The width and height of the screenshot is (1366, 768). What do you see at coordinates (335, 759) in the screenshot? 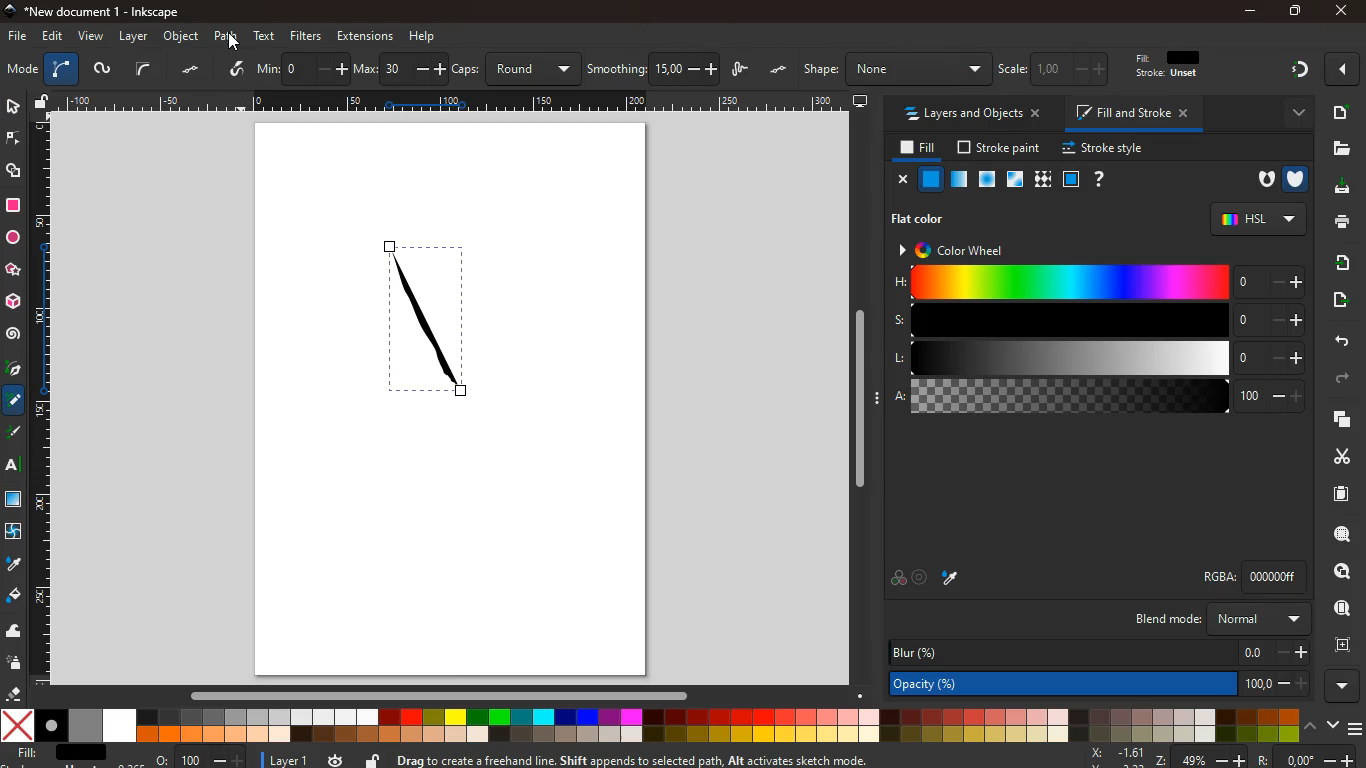
I see `time` at bounding box center [335, 759].